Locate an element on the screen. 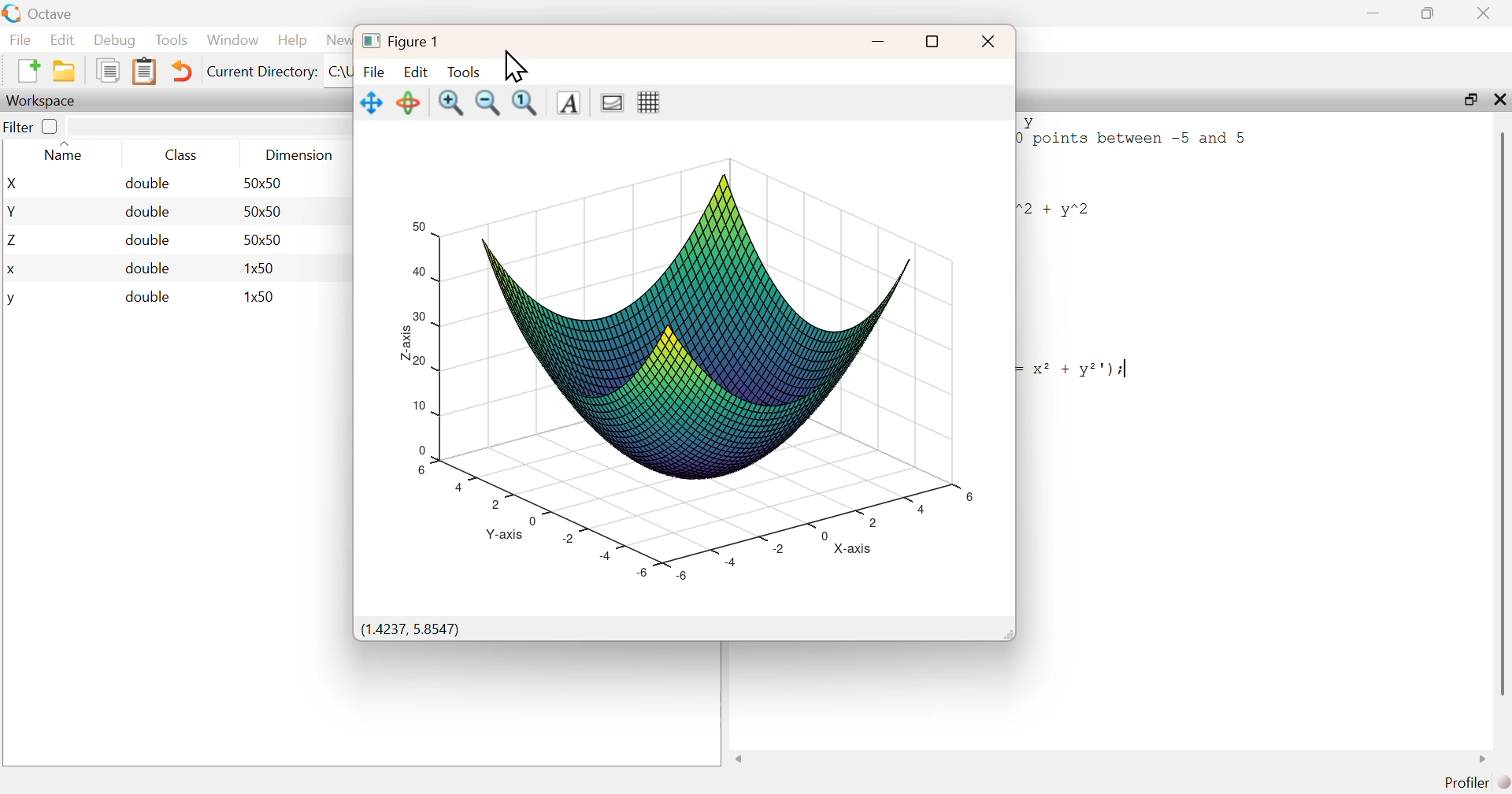 This screenshot has width=1512, height=794. maximize is located at coordinates (1429, 13).